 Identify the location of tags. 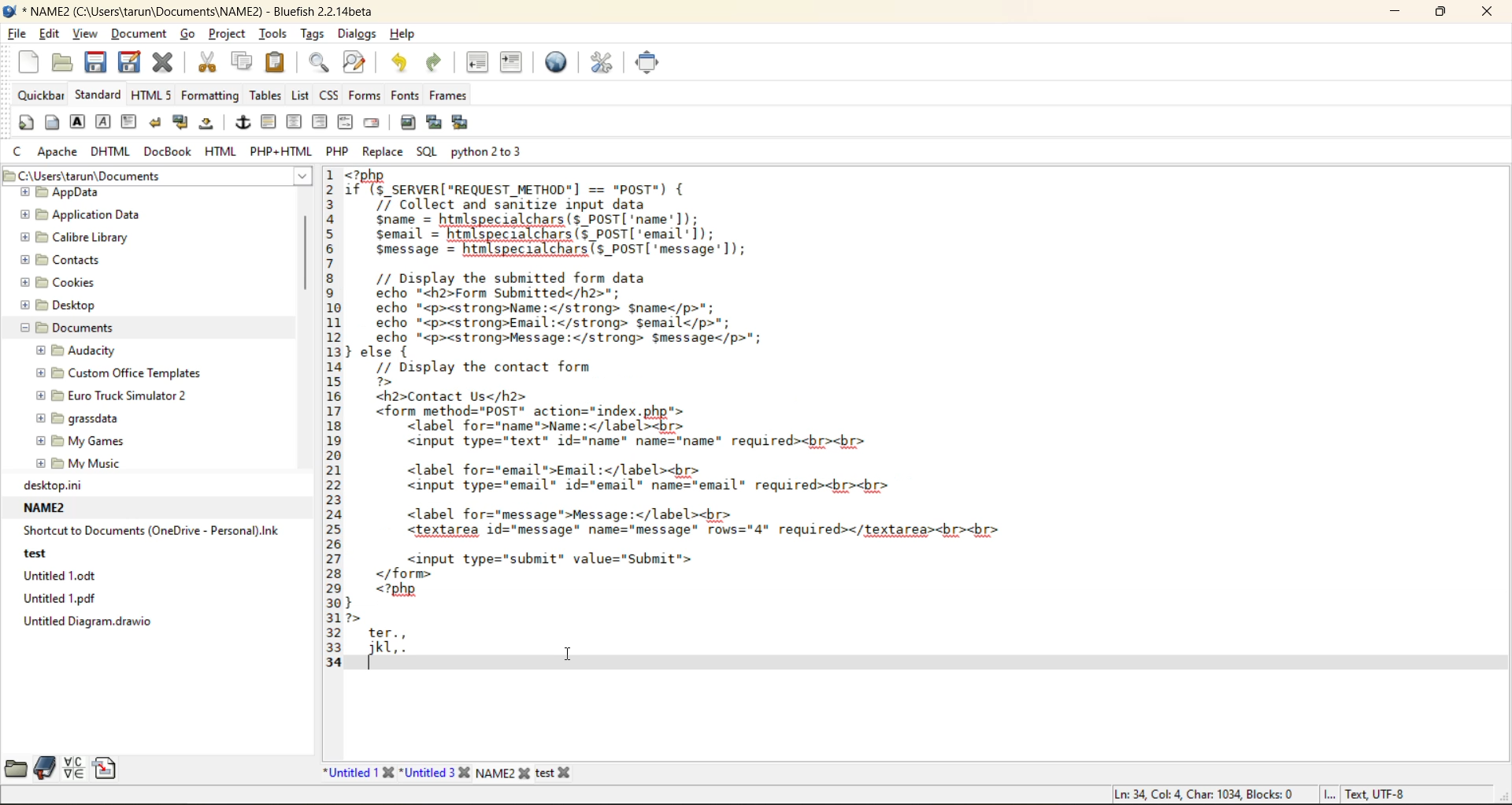
(313, 31).